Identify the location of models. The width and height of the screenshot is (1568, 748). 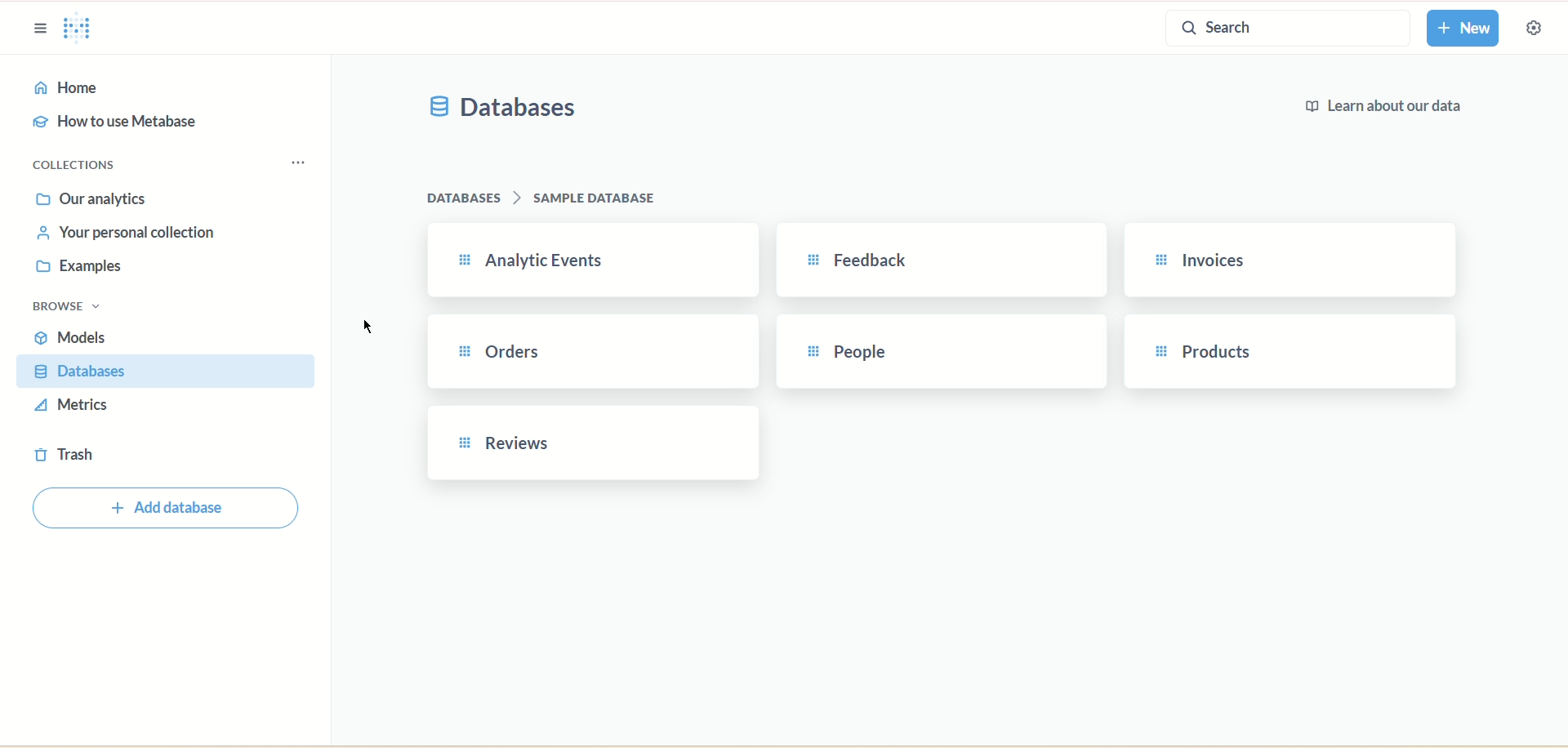
(71, 336).